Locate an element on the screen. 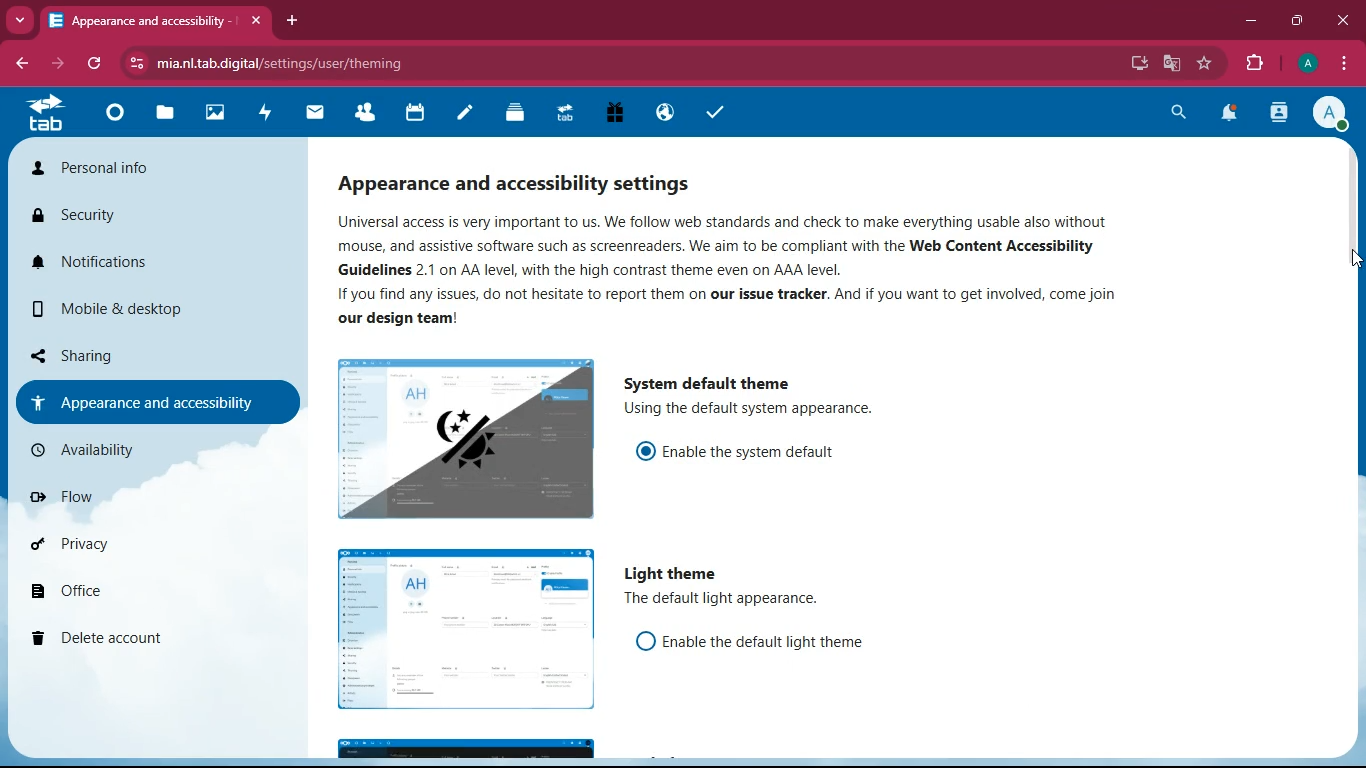 Image resolution: width=1366 pixels, height=768 pixels. description is located at coordinates (727, 600).